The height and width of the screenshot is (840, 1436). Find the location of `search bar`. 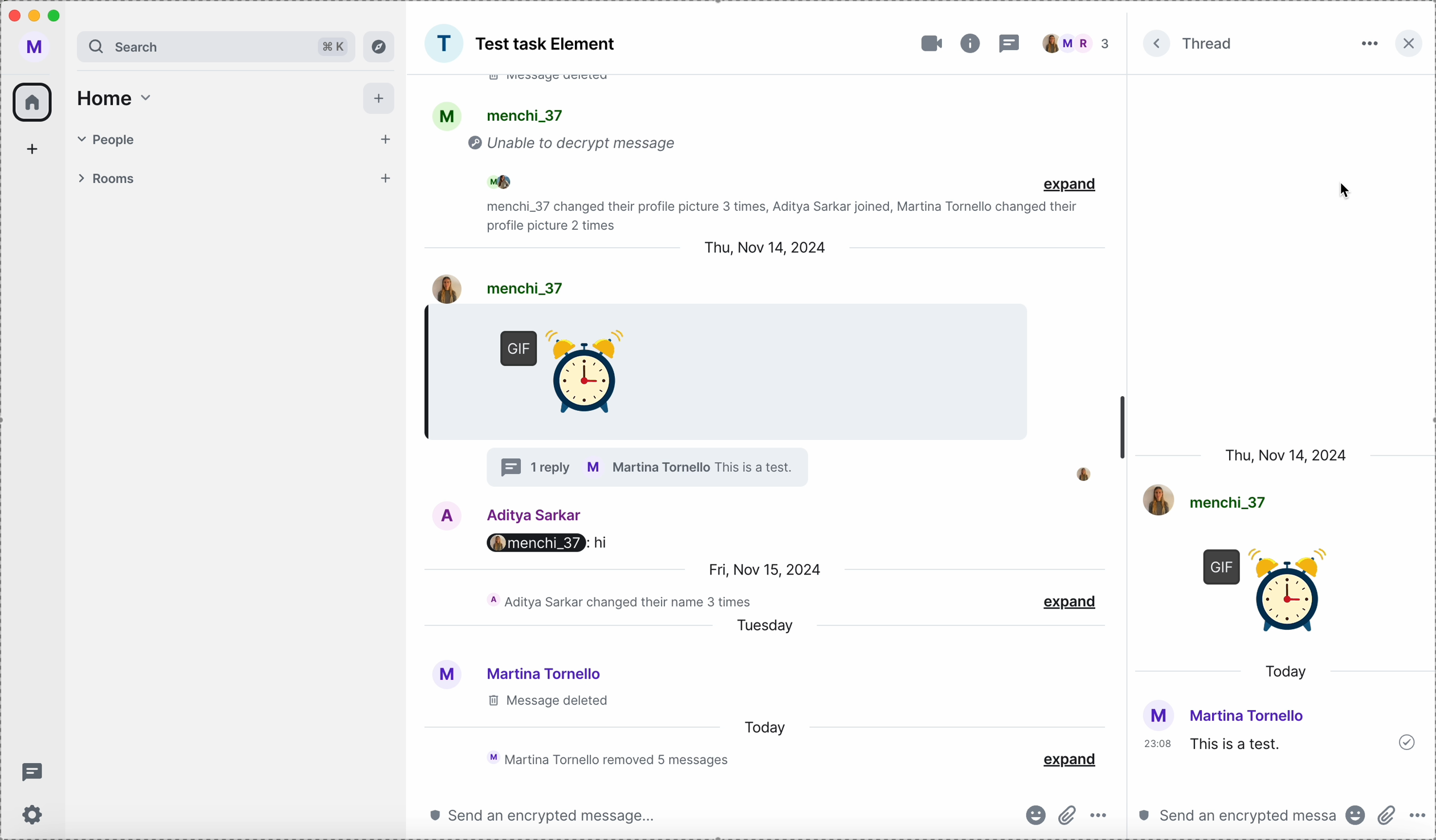

search bar is located at coordinates (216, 46).